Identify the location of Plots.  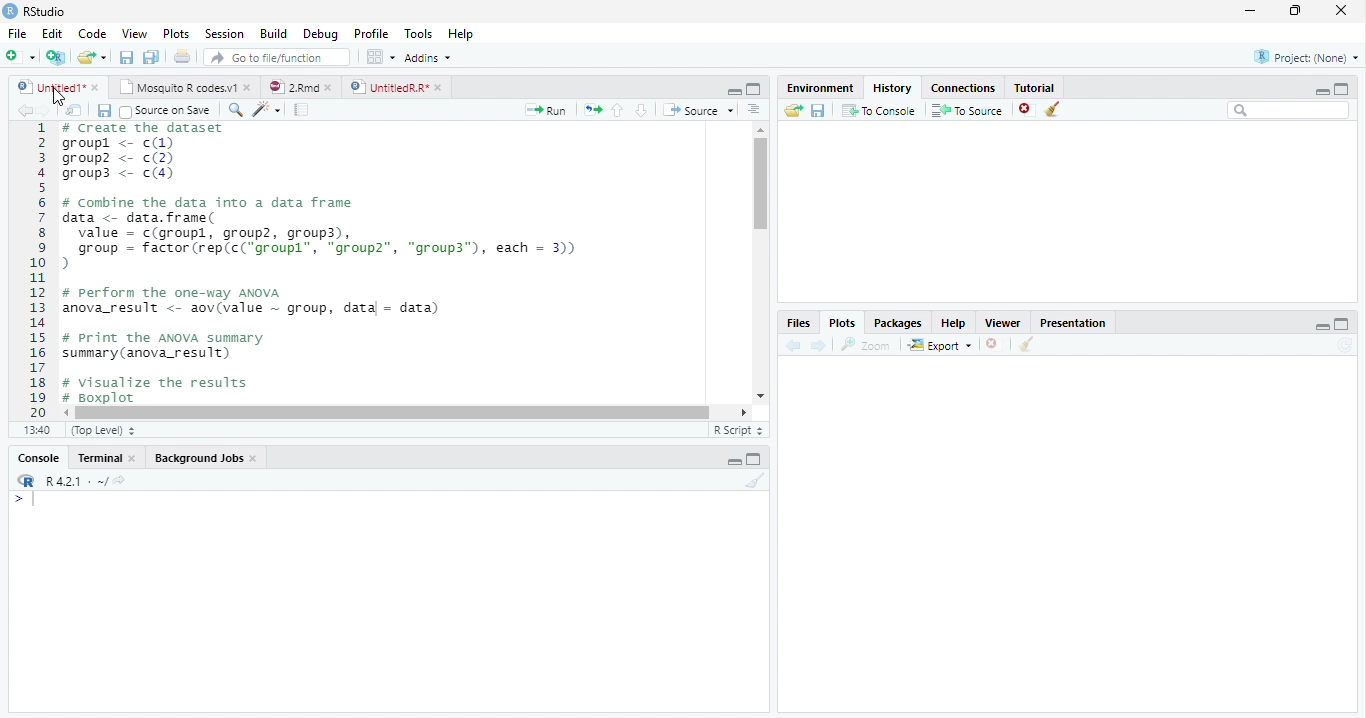
(176, 34).